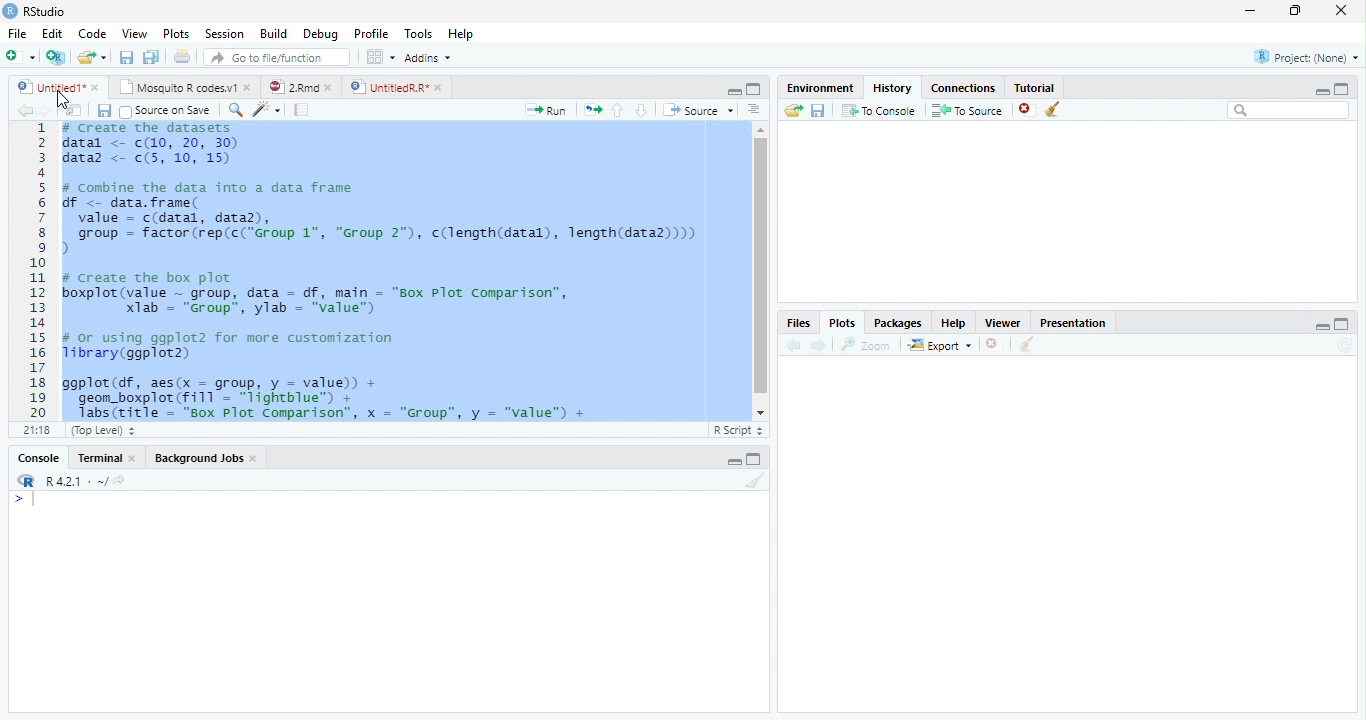  Describe the element at coordinates (546, 111) in the screenshot. I see `Run` at that location.